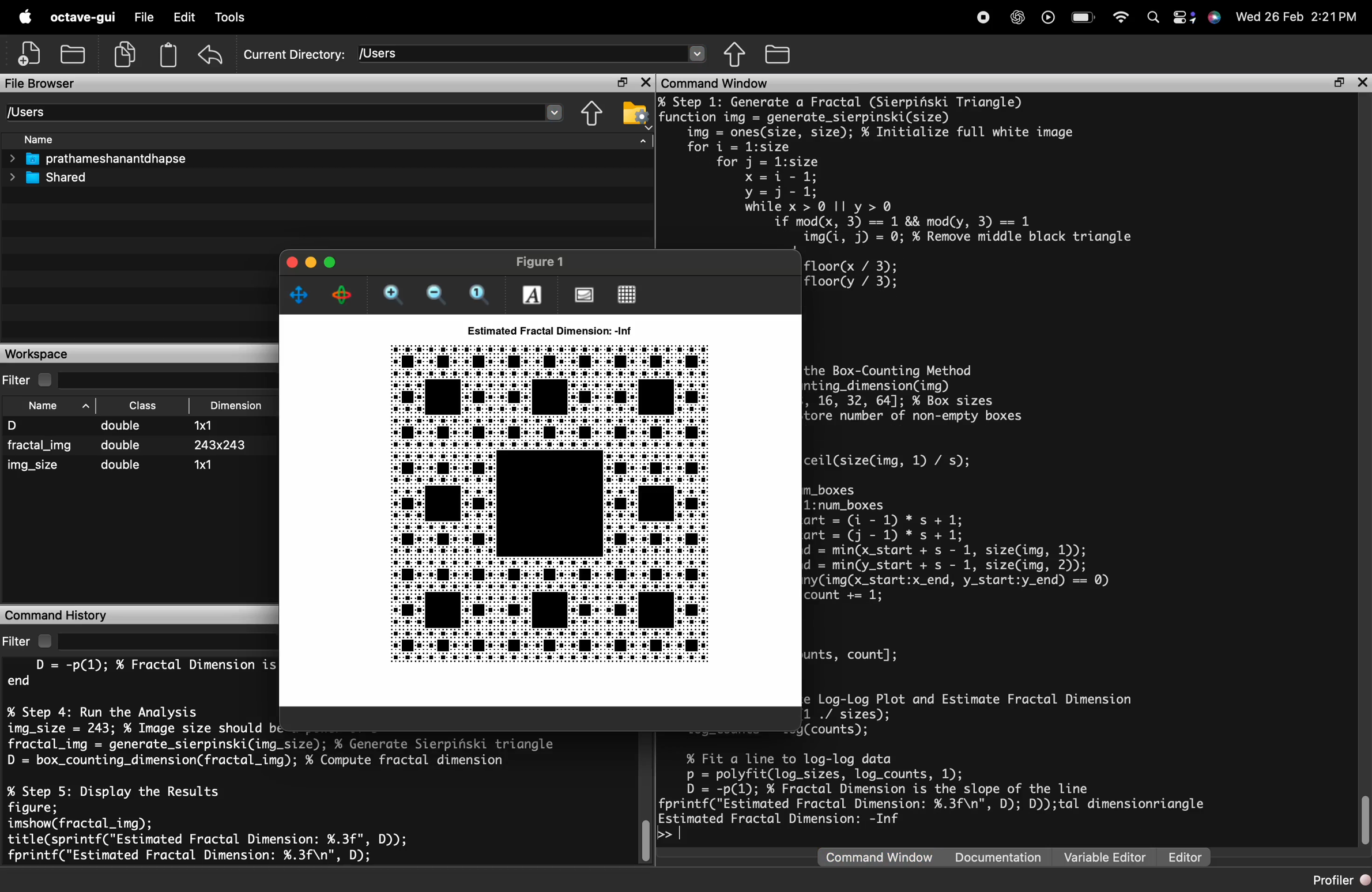 This screenshot has height=892, width=1372. What do you see at coordinates (239, 406) in the screenshot?
I see `Dimension` at bounding box center [239, 406].